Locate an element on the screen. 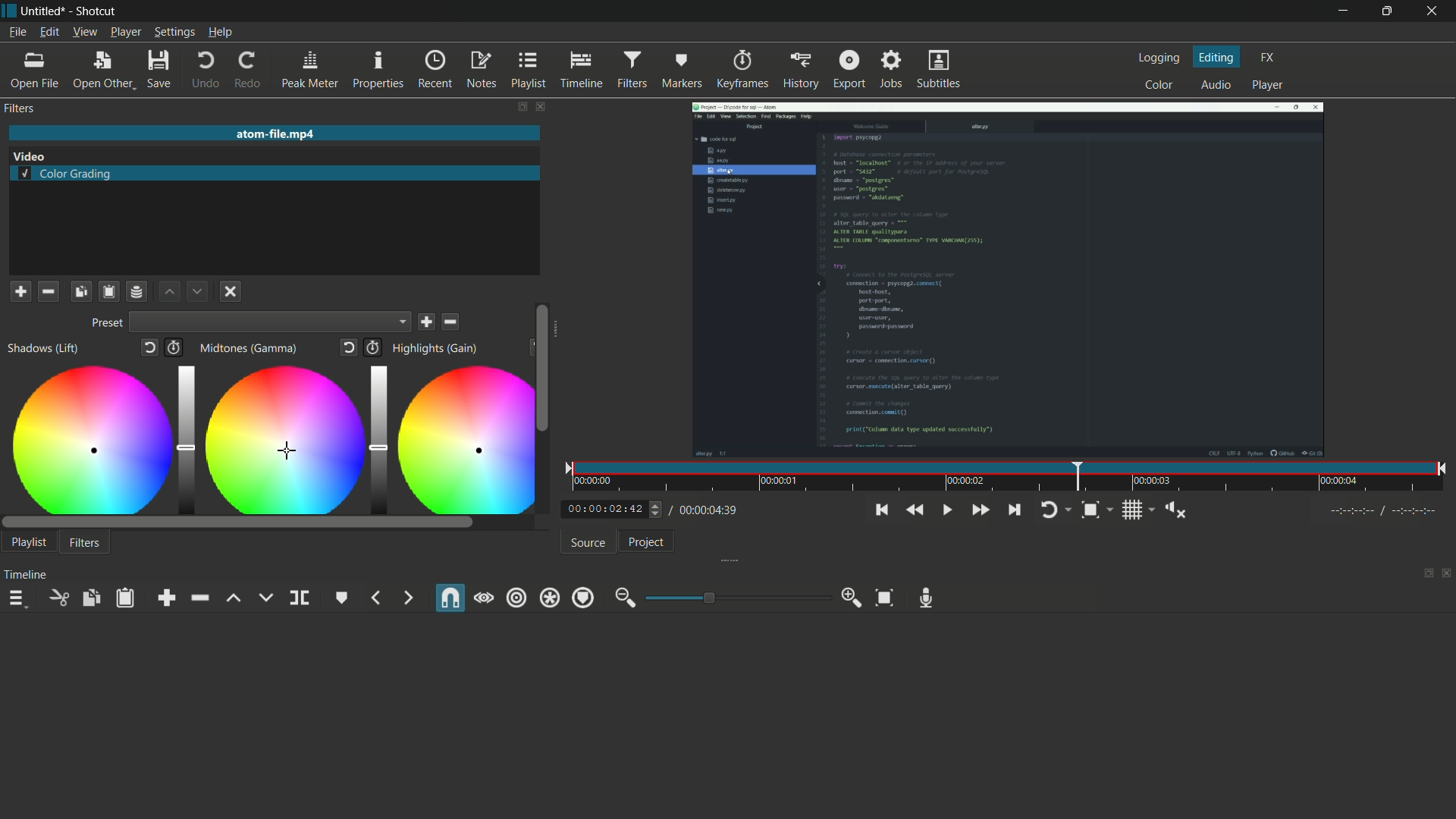  adjustment bar is located at coordinates (375, 436).